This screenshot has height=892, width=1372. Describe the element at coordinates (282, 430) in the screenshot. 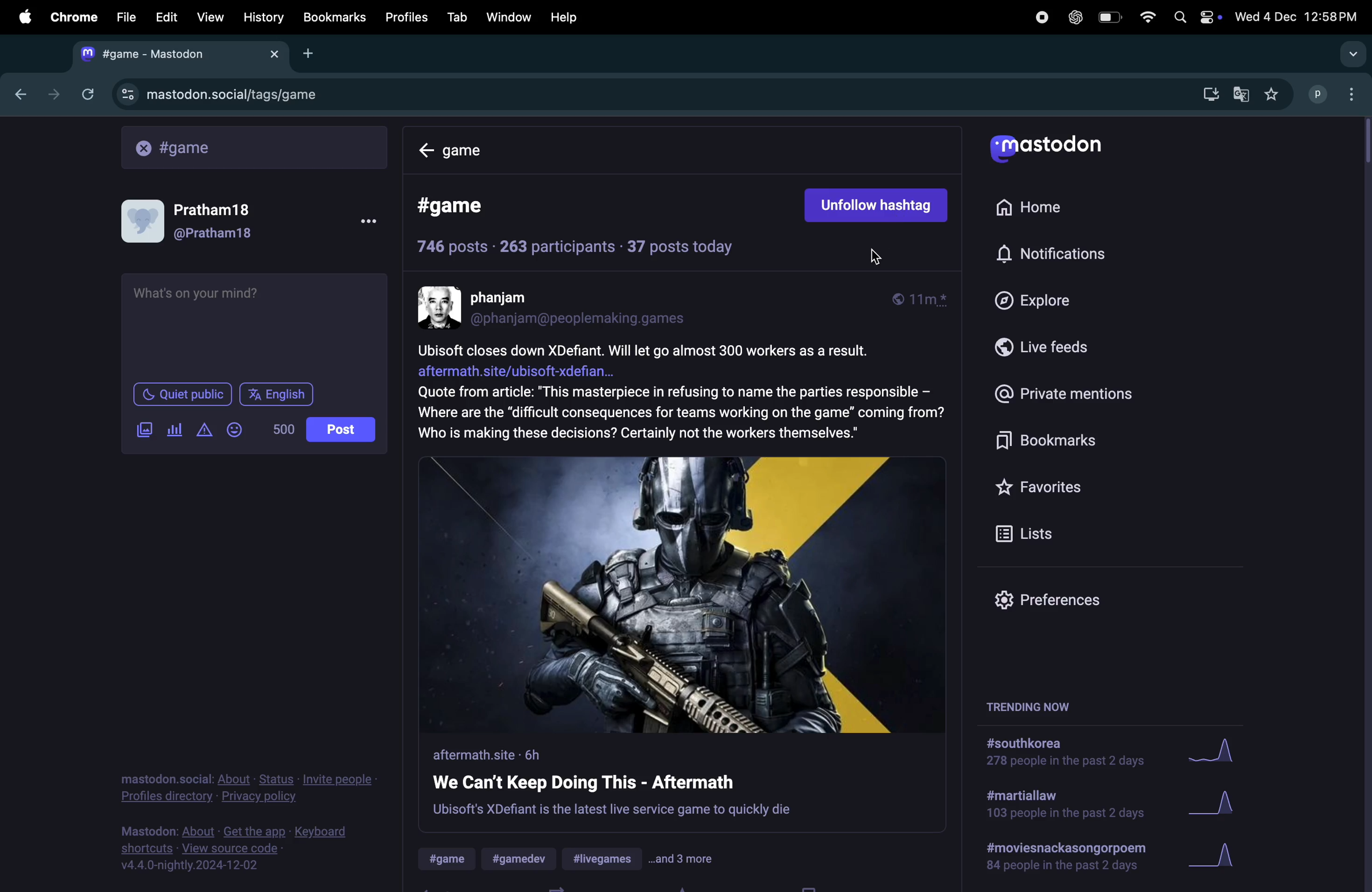

I see `500` at that location.